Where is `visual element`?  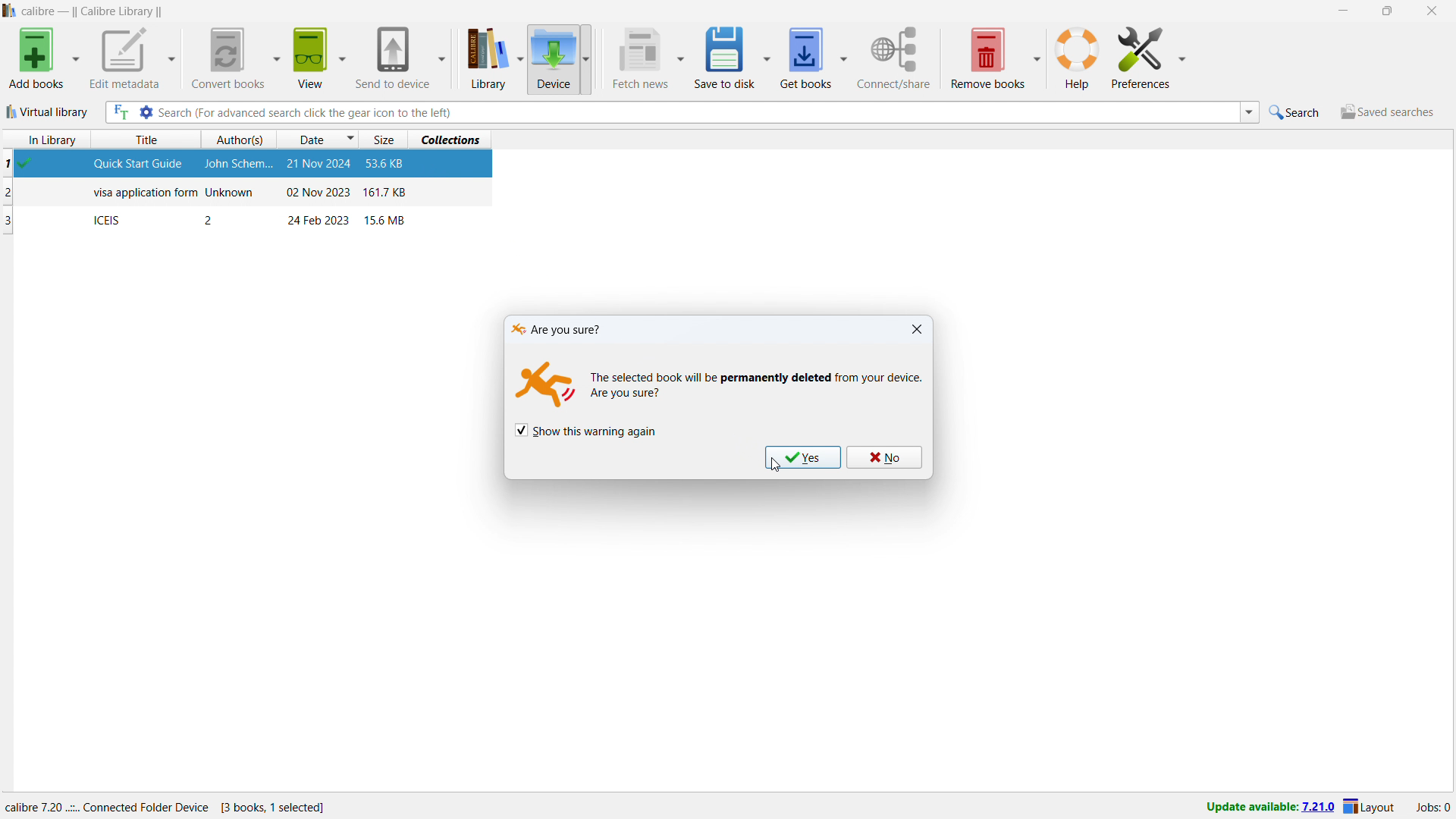 visual element is located at coordinates (543, 388).